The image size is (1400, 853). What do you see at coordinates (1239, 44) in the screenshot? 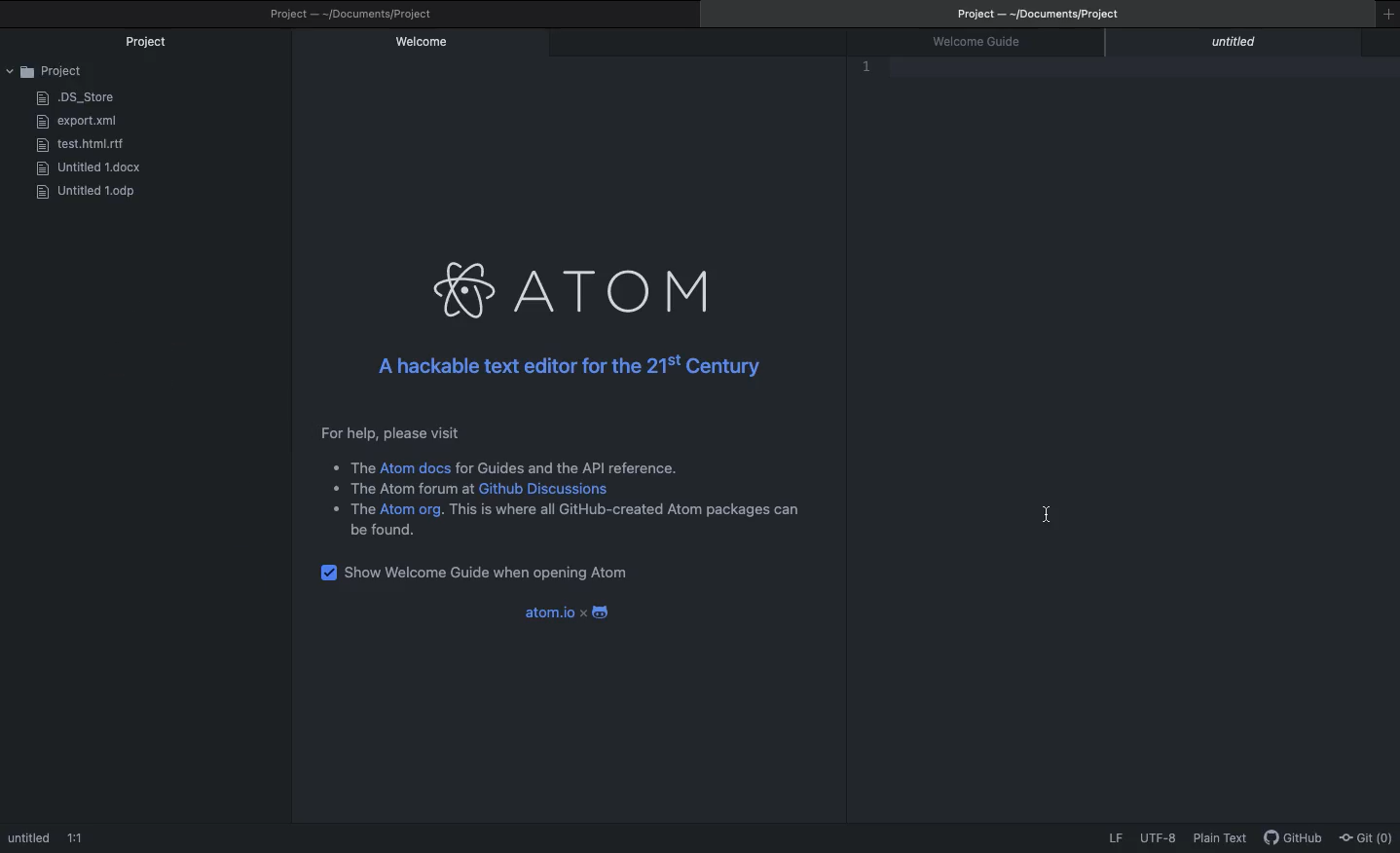
I see `Untitled` at bounding box center [1239, 44].